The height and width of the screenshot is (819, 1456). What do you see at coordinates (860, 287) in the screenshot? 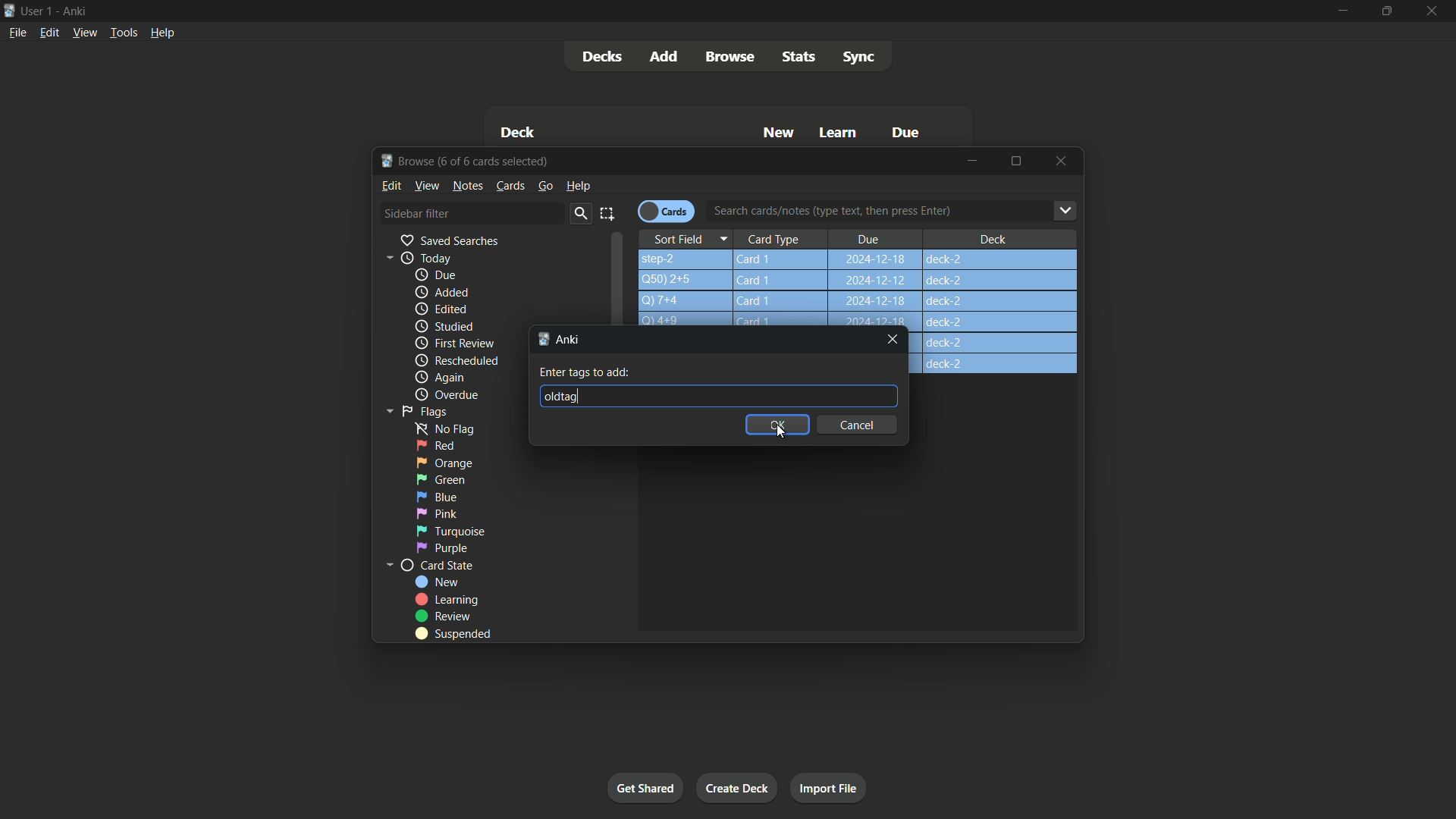
I see `step-2 Card1 2024-12-18 deck-2 Q)50)2+5Q)7+4 Card1 2024-12-18 deck-2  14+9 Card 1 how can youg.. Card 1 2024-12-18 deck-2  a Card 1 2024-12-18 deck-2 ` at bounding box center [860, 287].